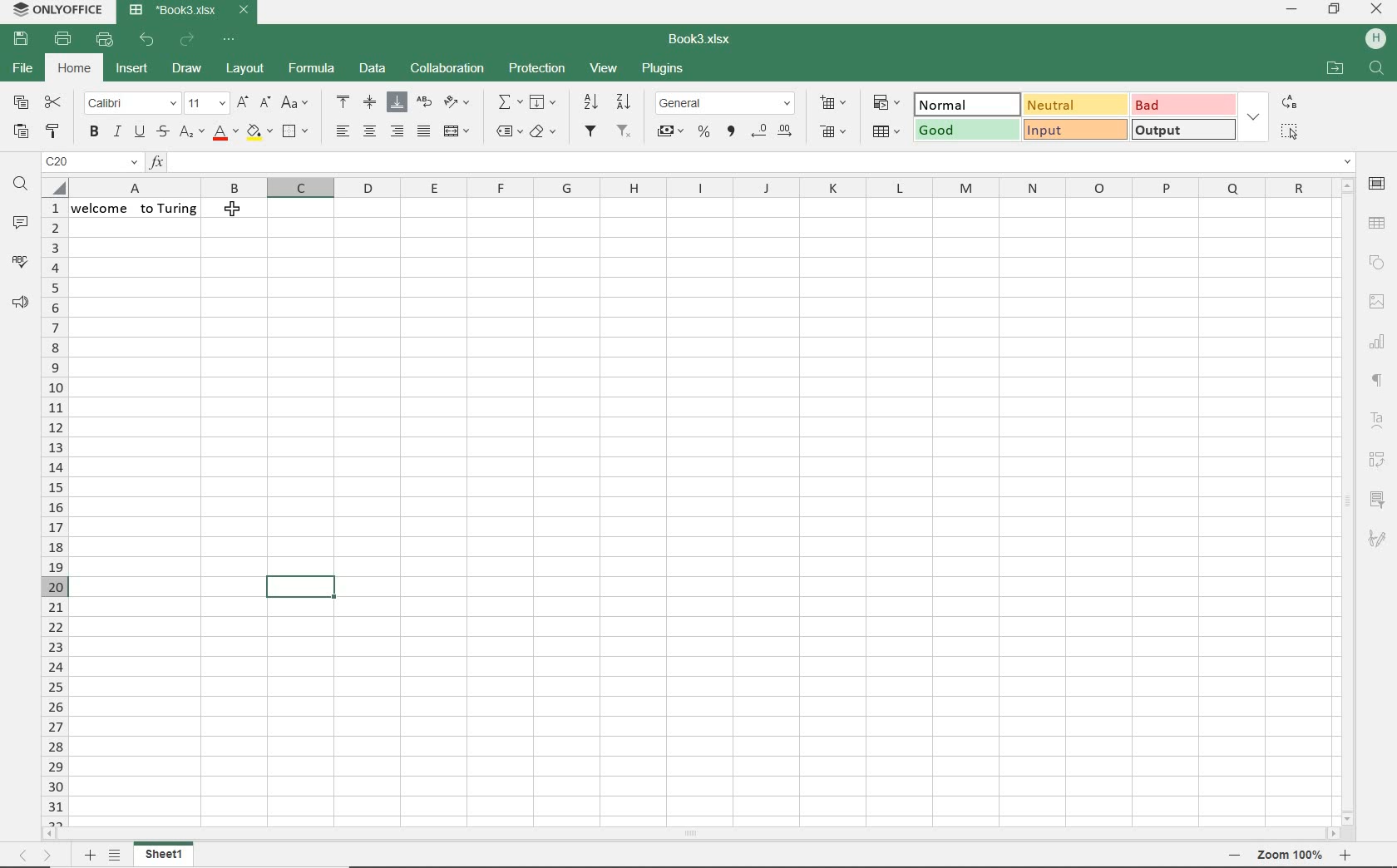 The image size is (1397, 868). I want to click on input, so click(1075, 131).